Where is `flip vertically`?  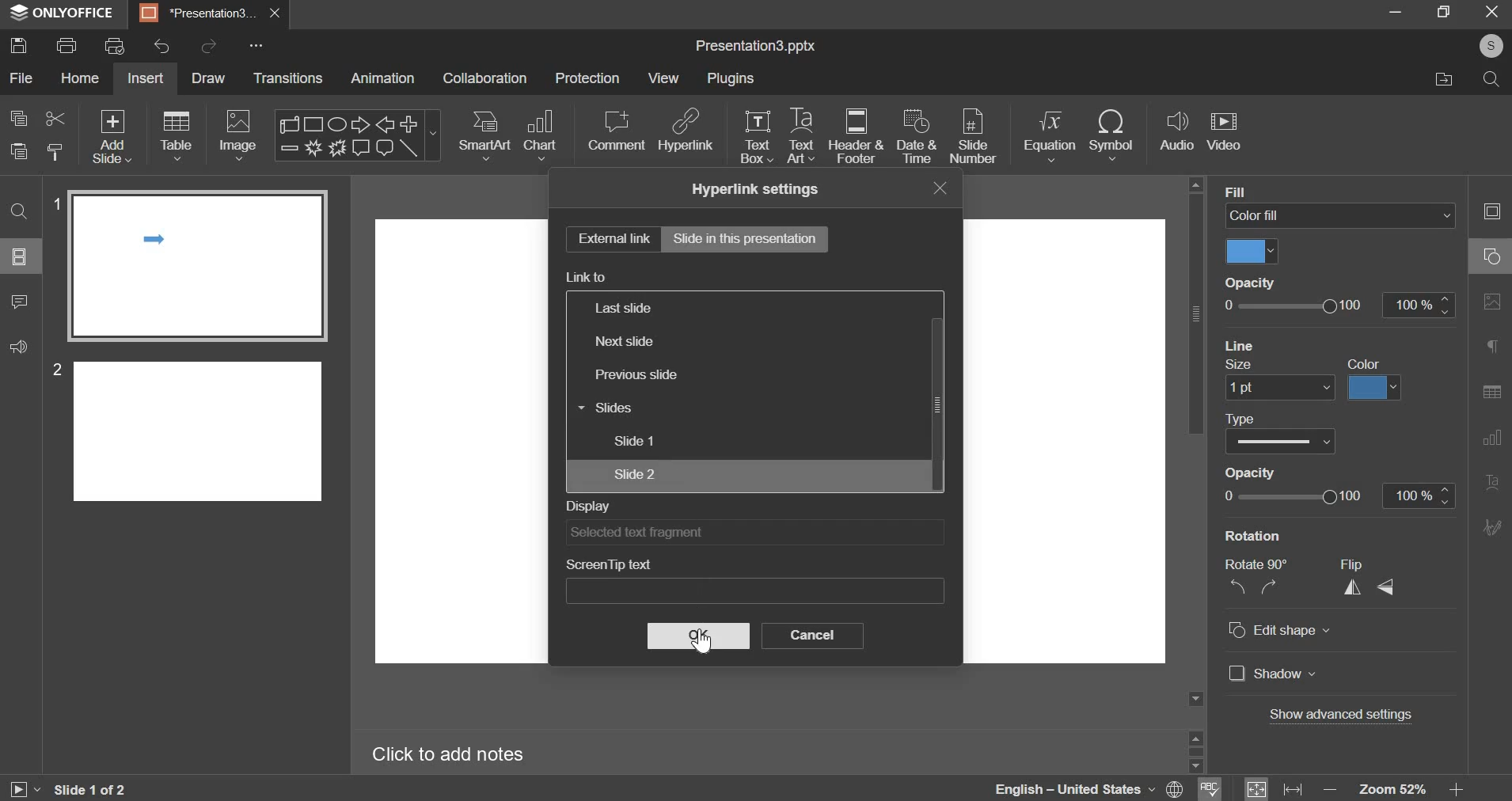
flip vertically is located at coordinates (1384, 587).